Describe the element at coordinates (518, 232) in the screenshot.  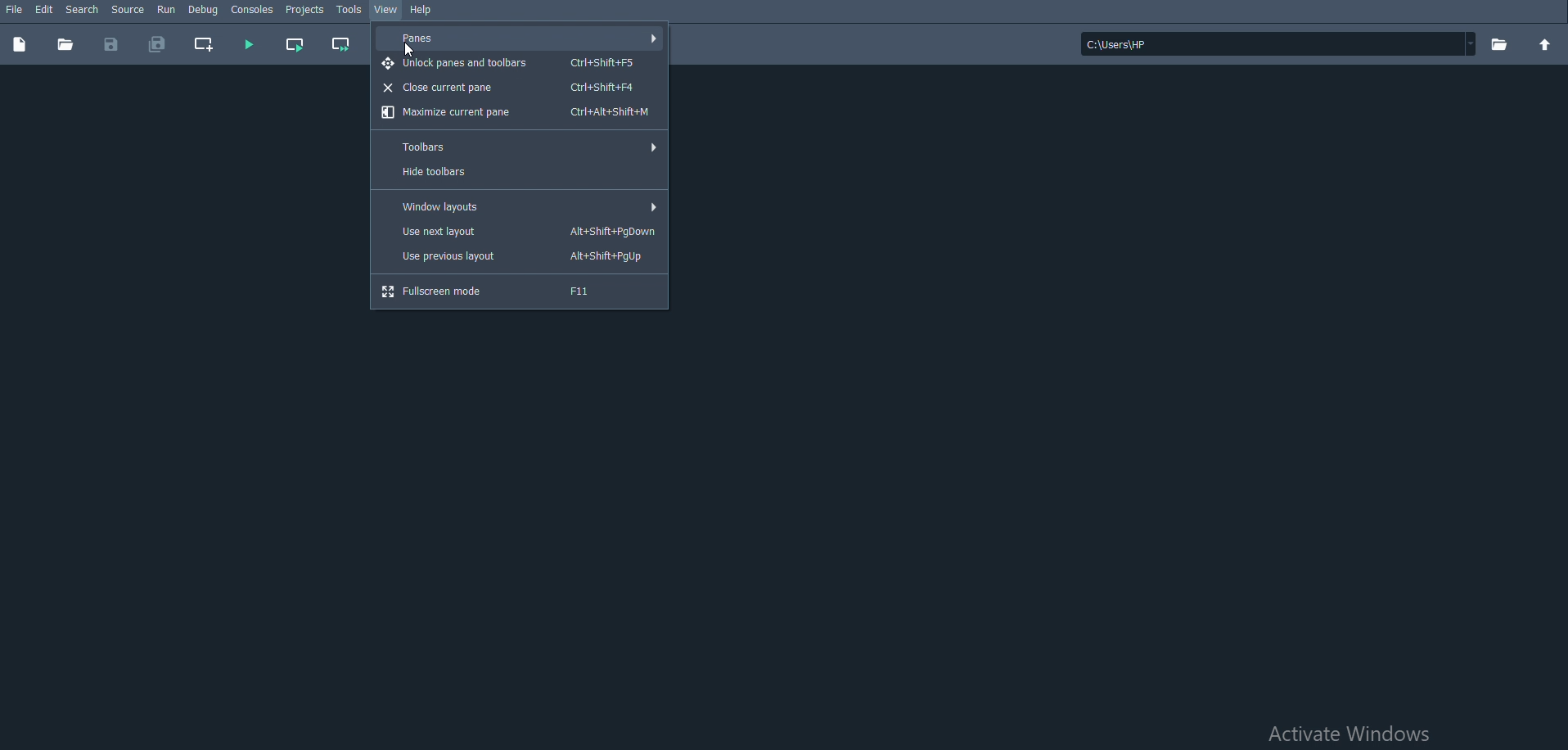
I see `Use next layout` at that location.